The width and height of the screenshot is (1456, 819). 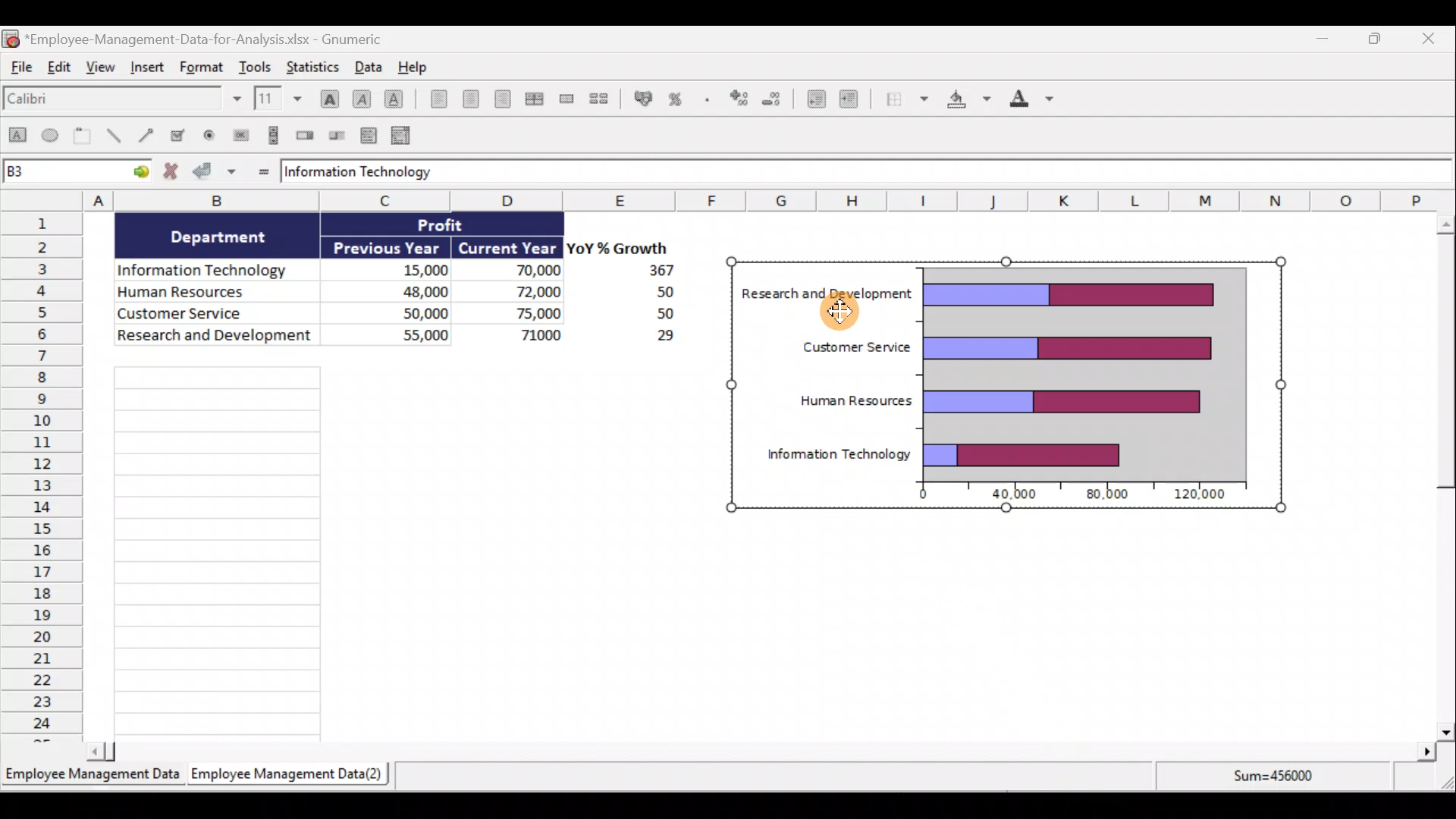 What do you see at coordinates (706, 102) in the screenshot?
I see `Set the format of the selected cells to include a thousands separator` at bounding box center [706, 102].